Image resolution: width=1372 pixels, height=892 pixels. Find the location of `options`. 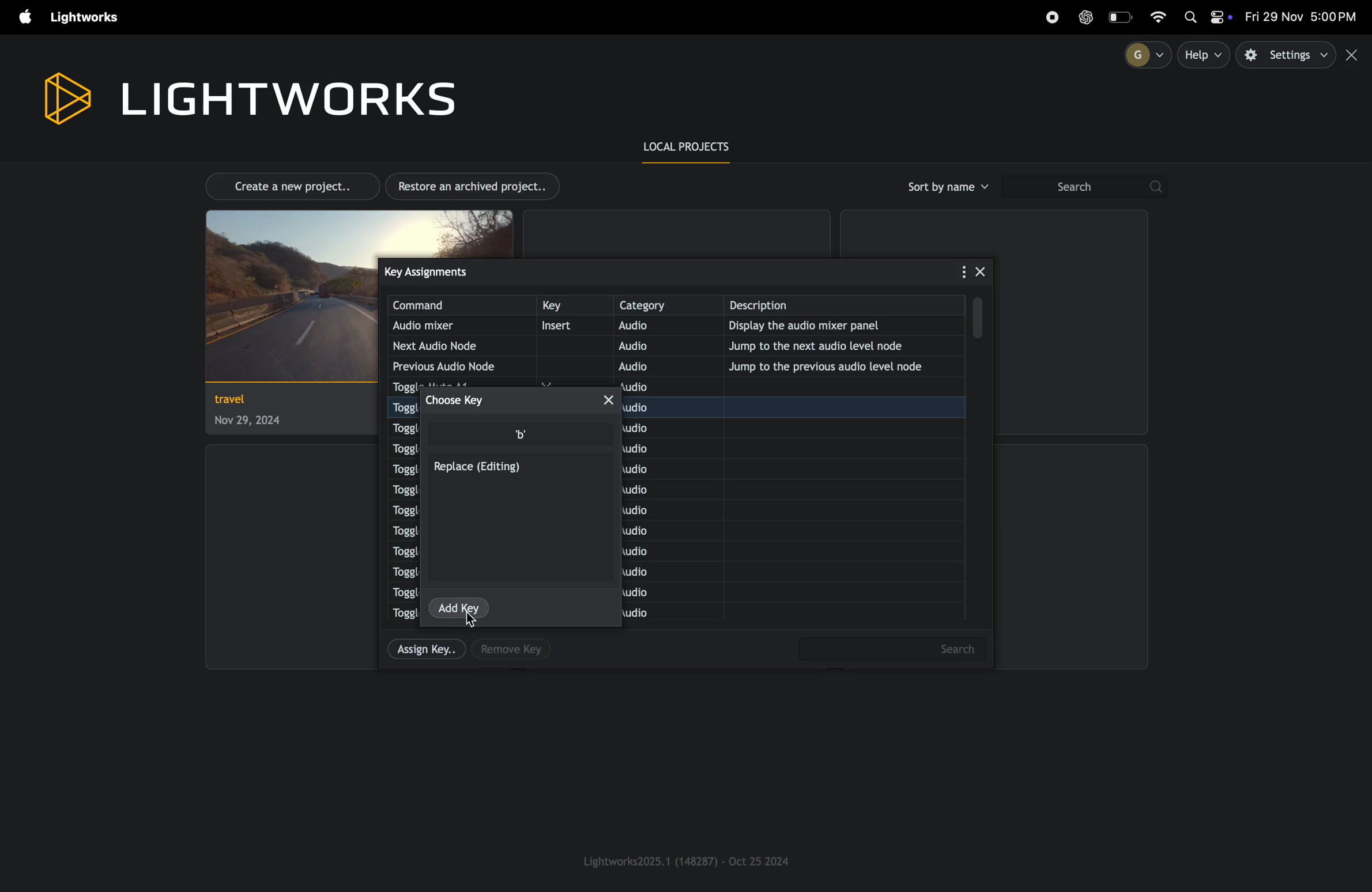

options is located at coordinates (953, 270).